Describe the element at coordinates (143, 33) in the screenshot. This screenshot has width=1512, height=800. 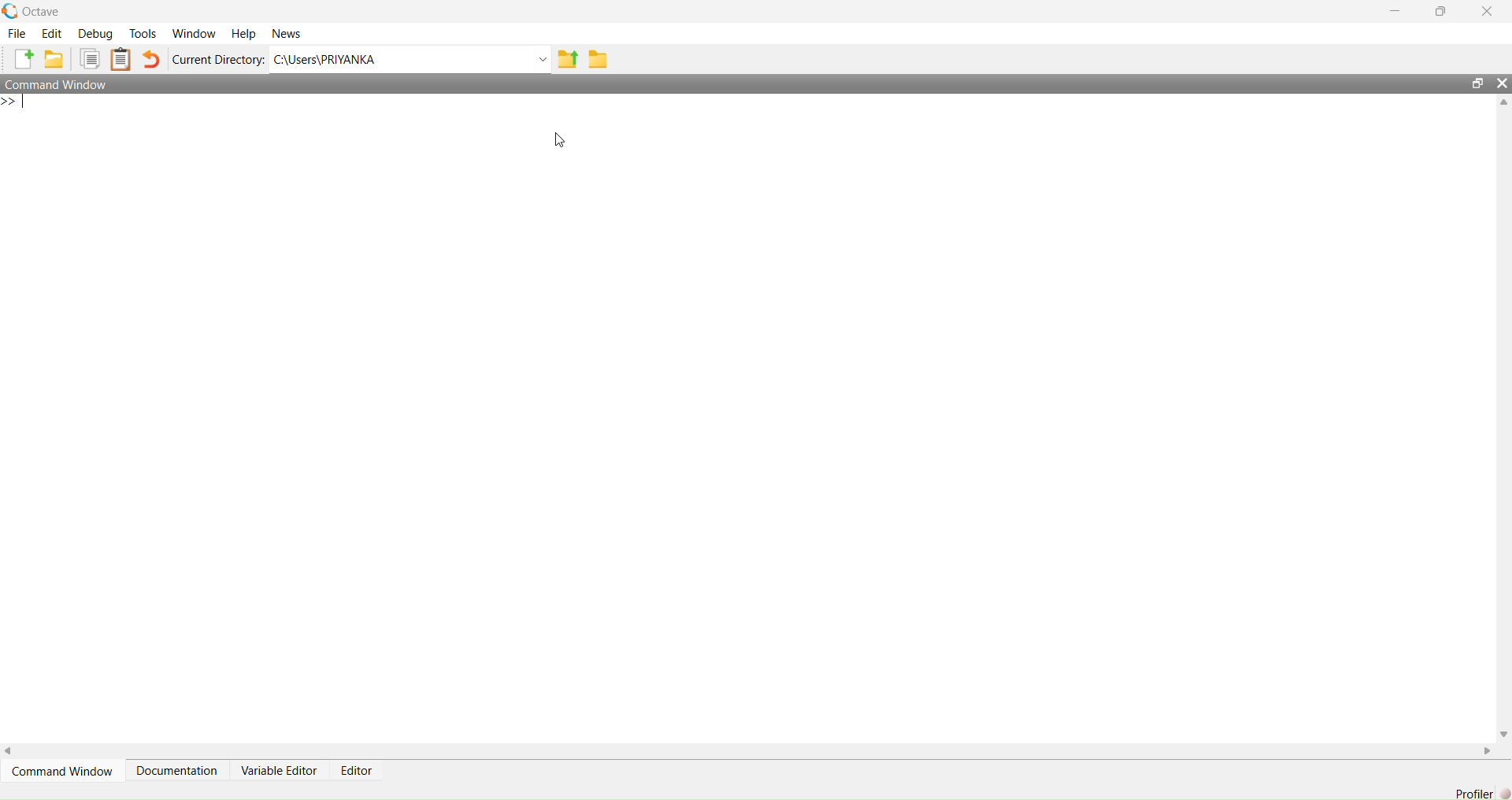
I see `Tools` at that location.